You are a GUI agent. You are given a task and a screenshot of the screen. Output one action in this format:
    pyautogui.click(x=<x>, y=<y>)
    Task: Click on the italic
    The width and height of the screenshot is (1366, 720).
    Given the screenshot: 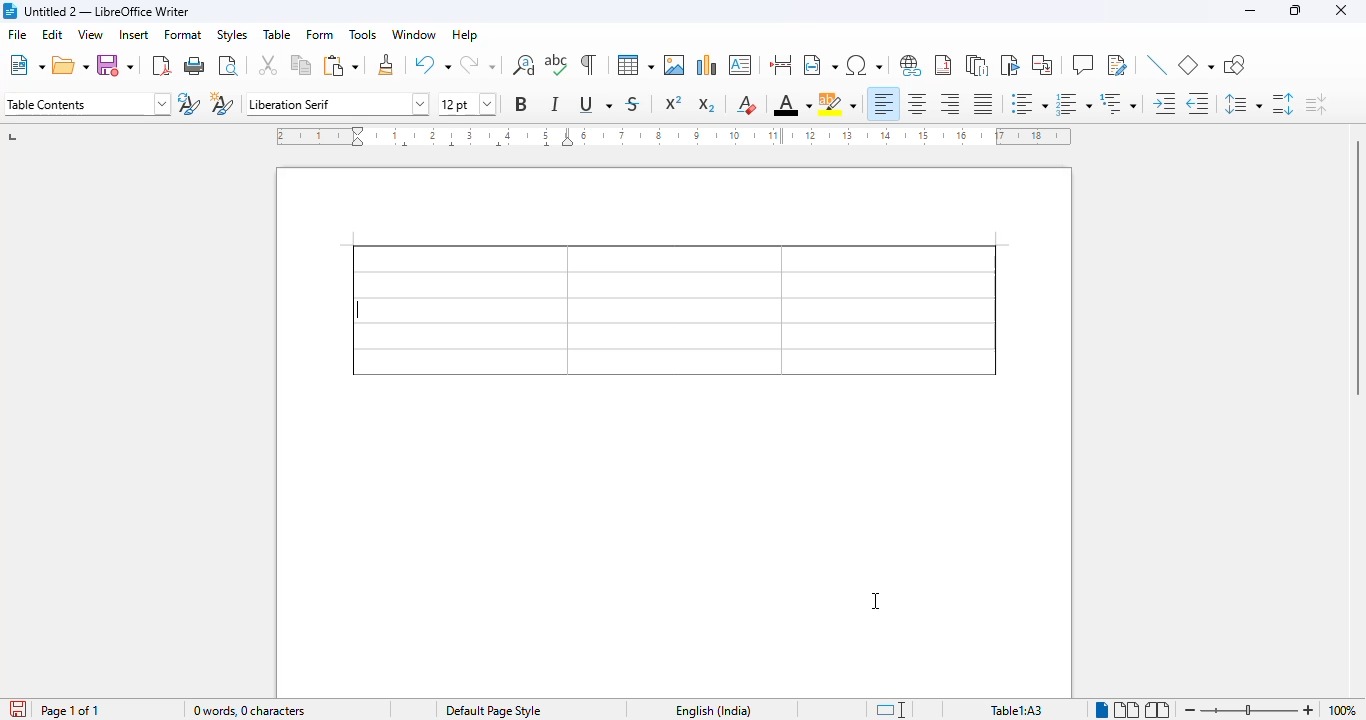 What is the action you would take?
    pyautogui.click(x=557, y=104)
    